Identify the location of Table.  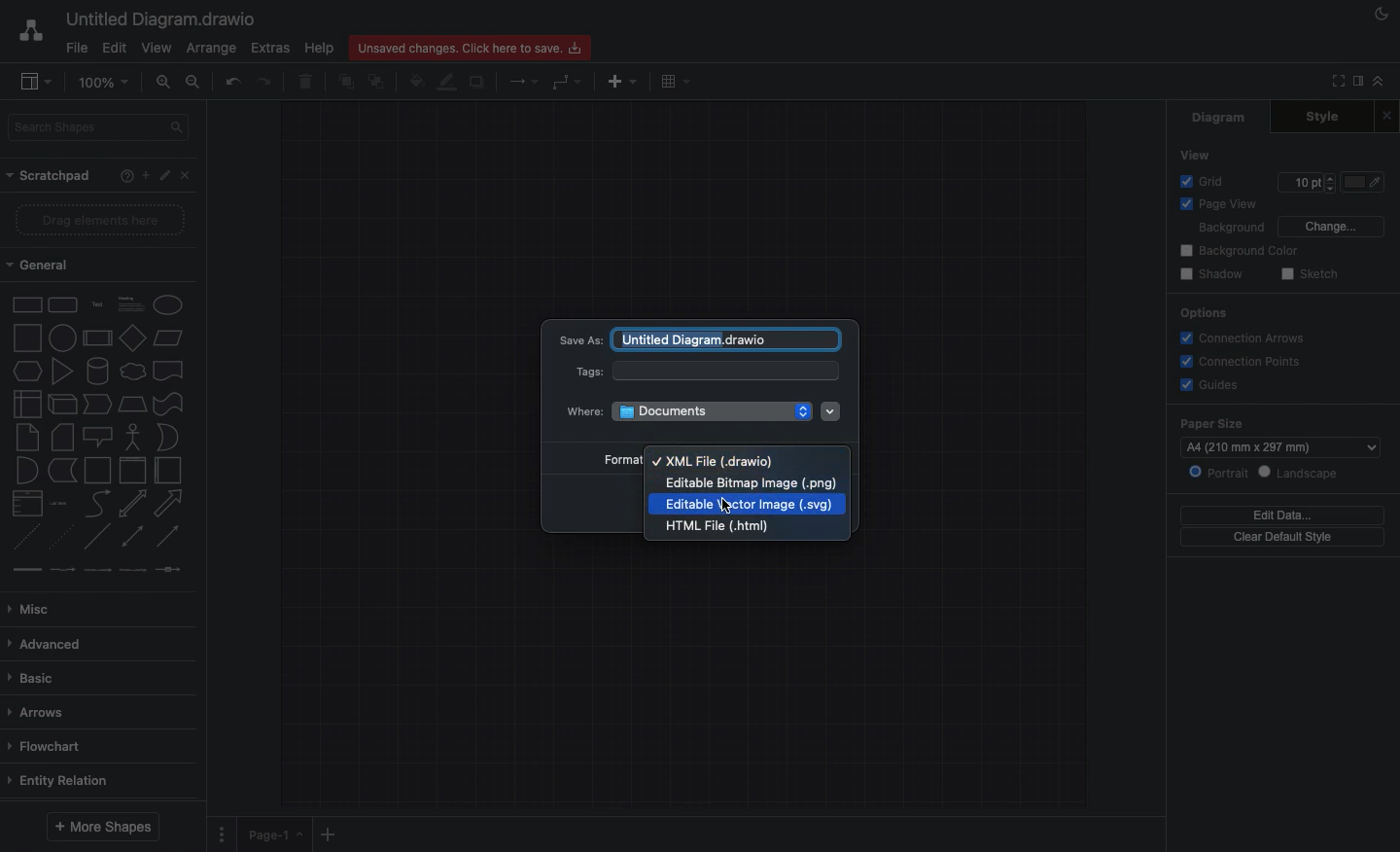
(676, 81).